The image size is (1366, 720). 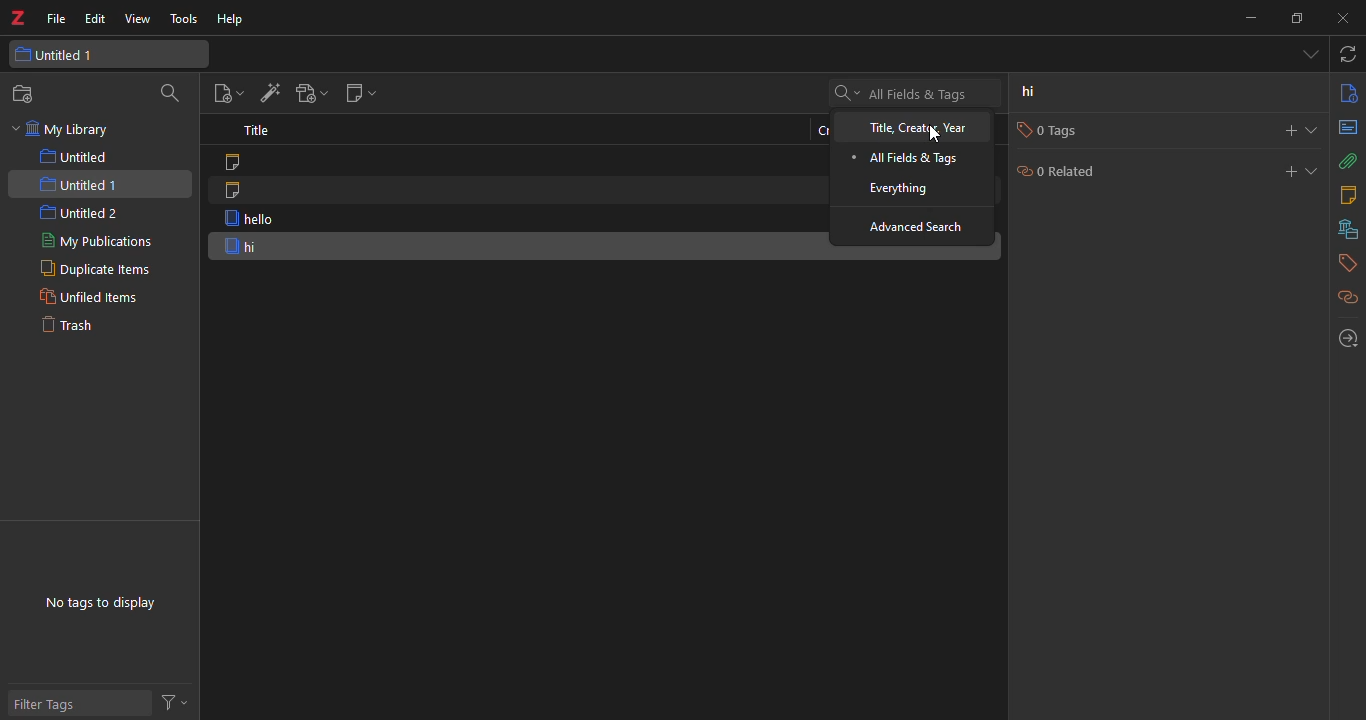 What do you see at coordinates (82, 184) in the screenshot?
I see `untitled 1` at bounding box center [82, 184].